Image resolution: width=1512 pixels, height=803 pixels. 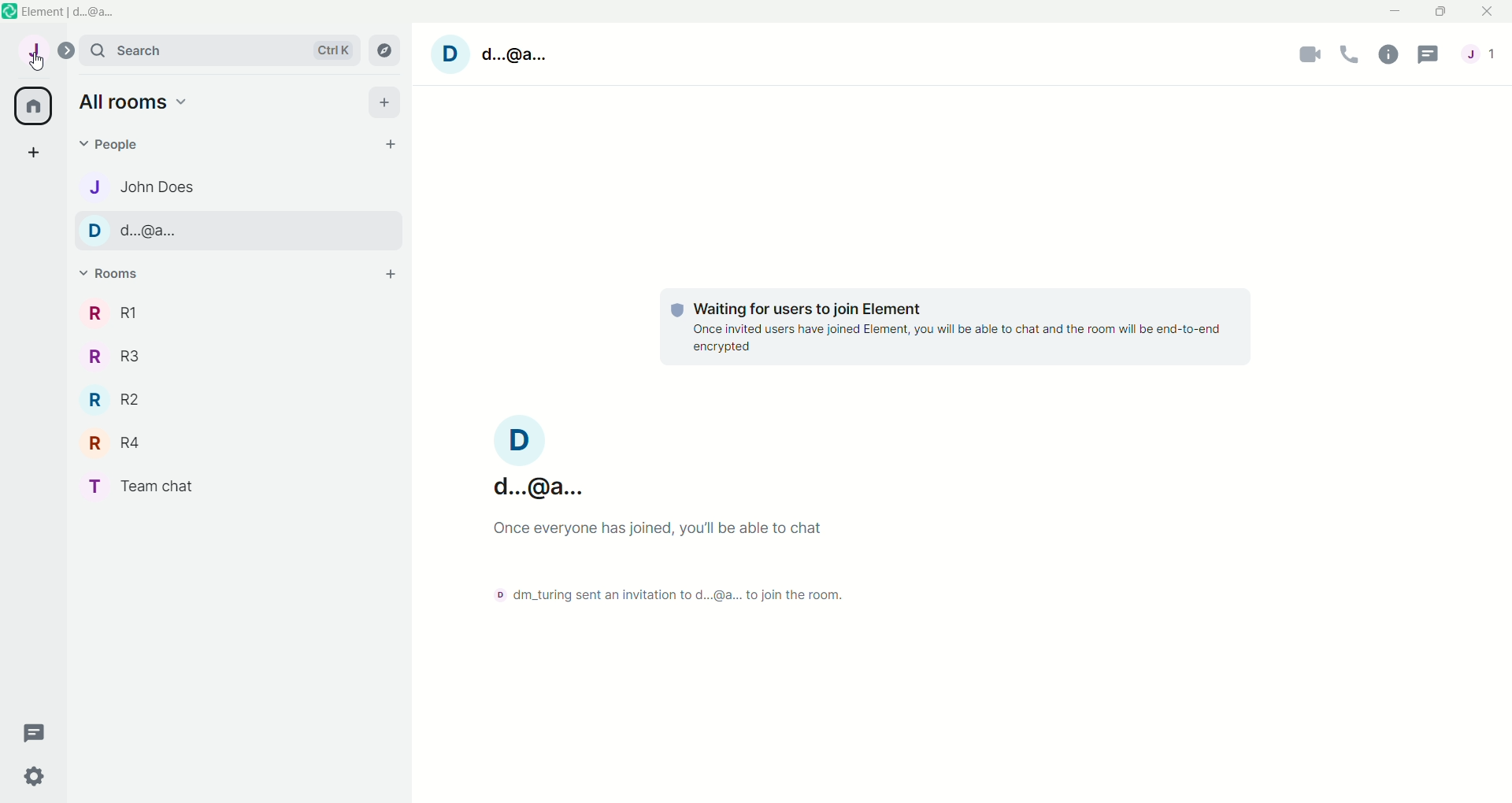 I want to click on All room, so click(x=34, y=106).